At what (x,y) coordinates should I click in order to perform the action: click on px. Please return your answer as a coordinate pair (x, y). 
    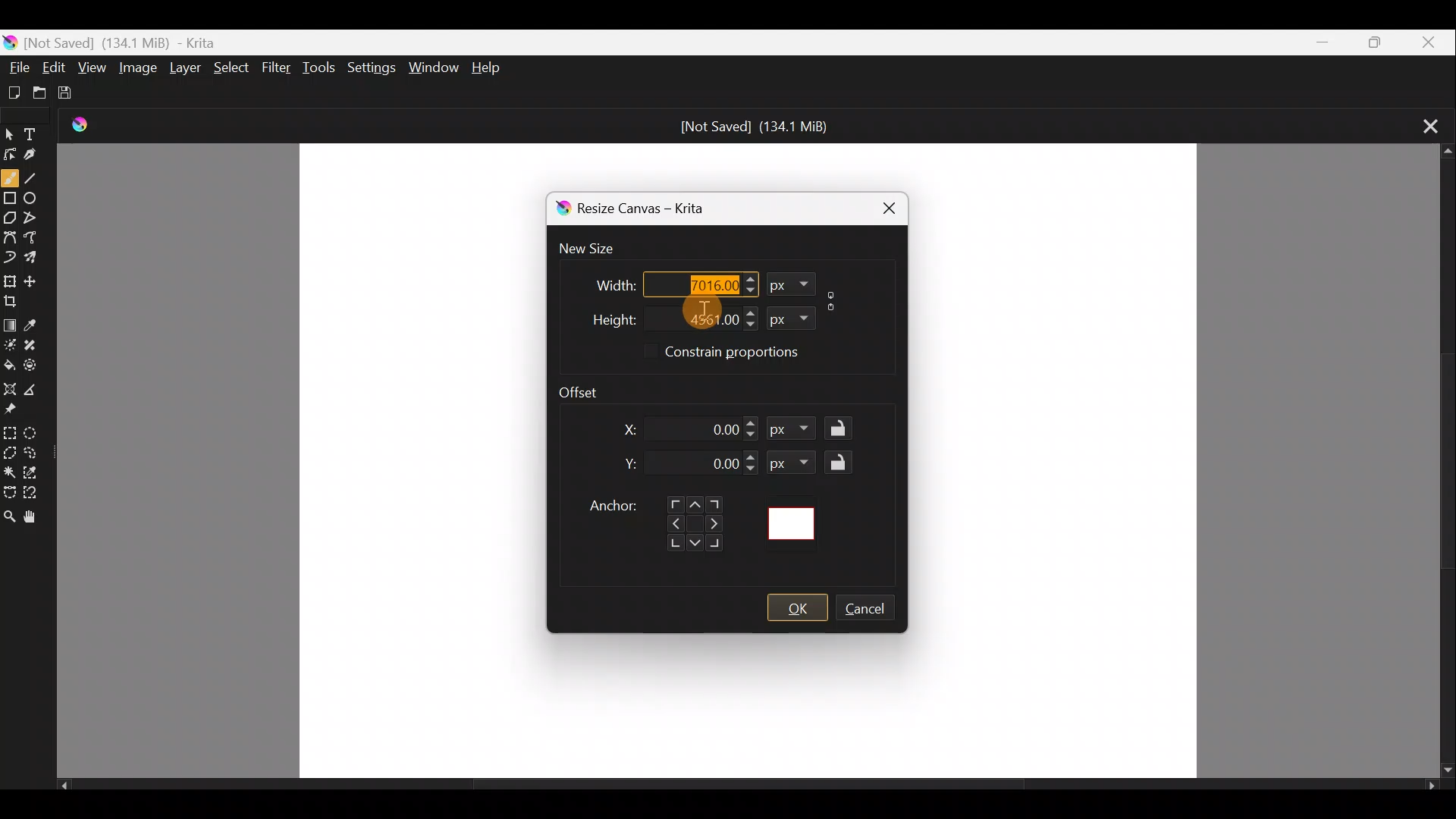
    Looking at the image, I should click on (792, 462).